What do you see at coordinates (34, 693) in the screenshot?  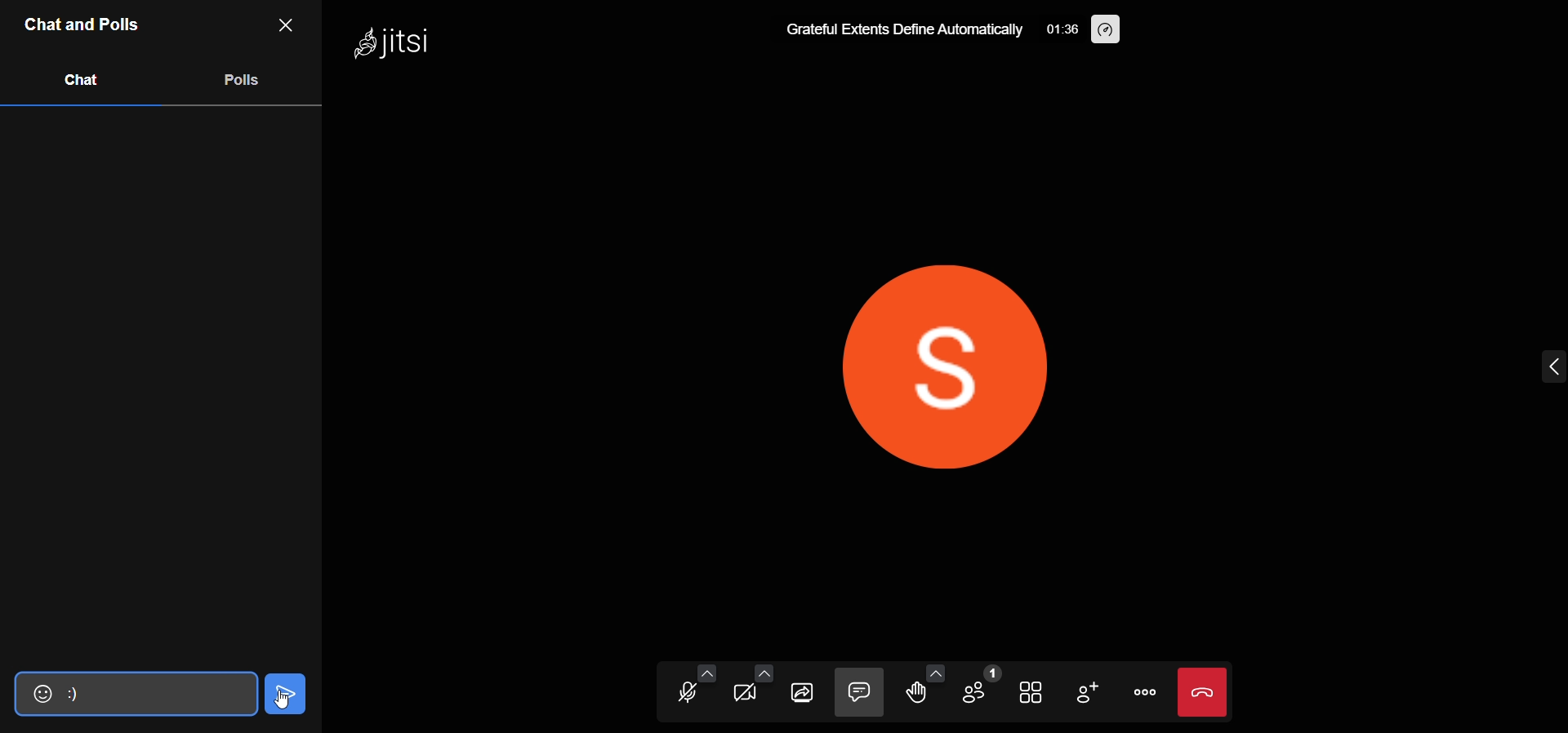 I see `emojis` at bounding box center [34, 693].